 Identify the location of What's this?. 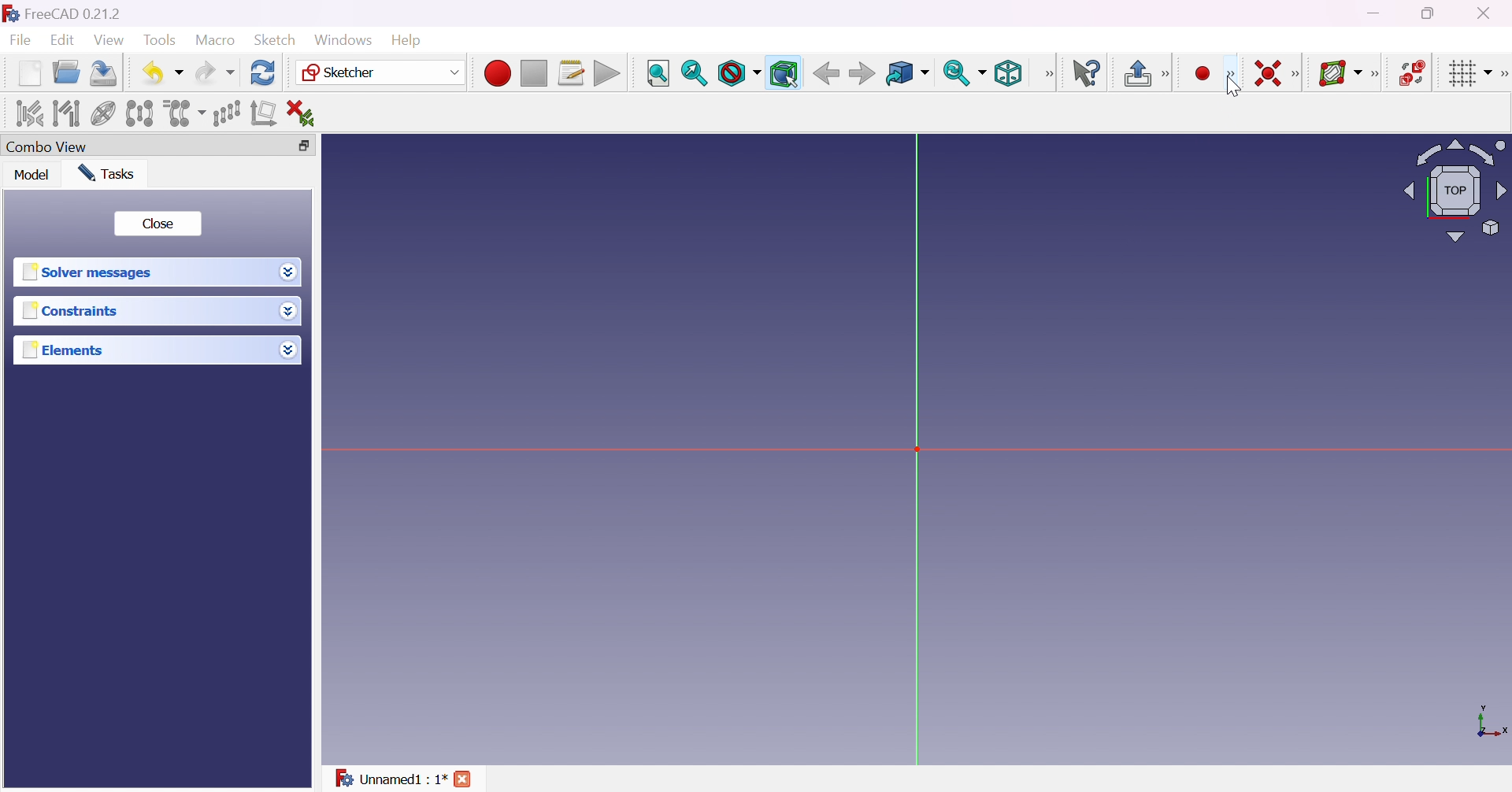
(1088, 73).